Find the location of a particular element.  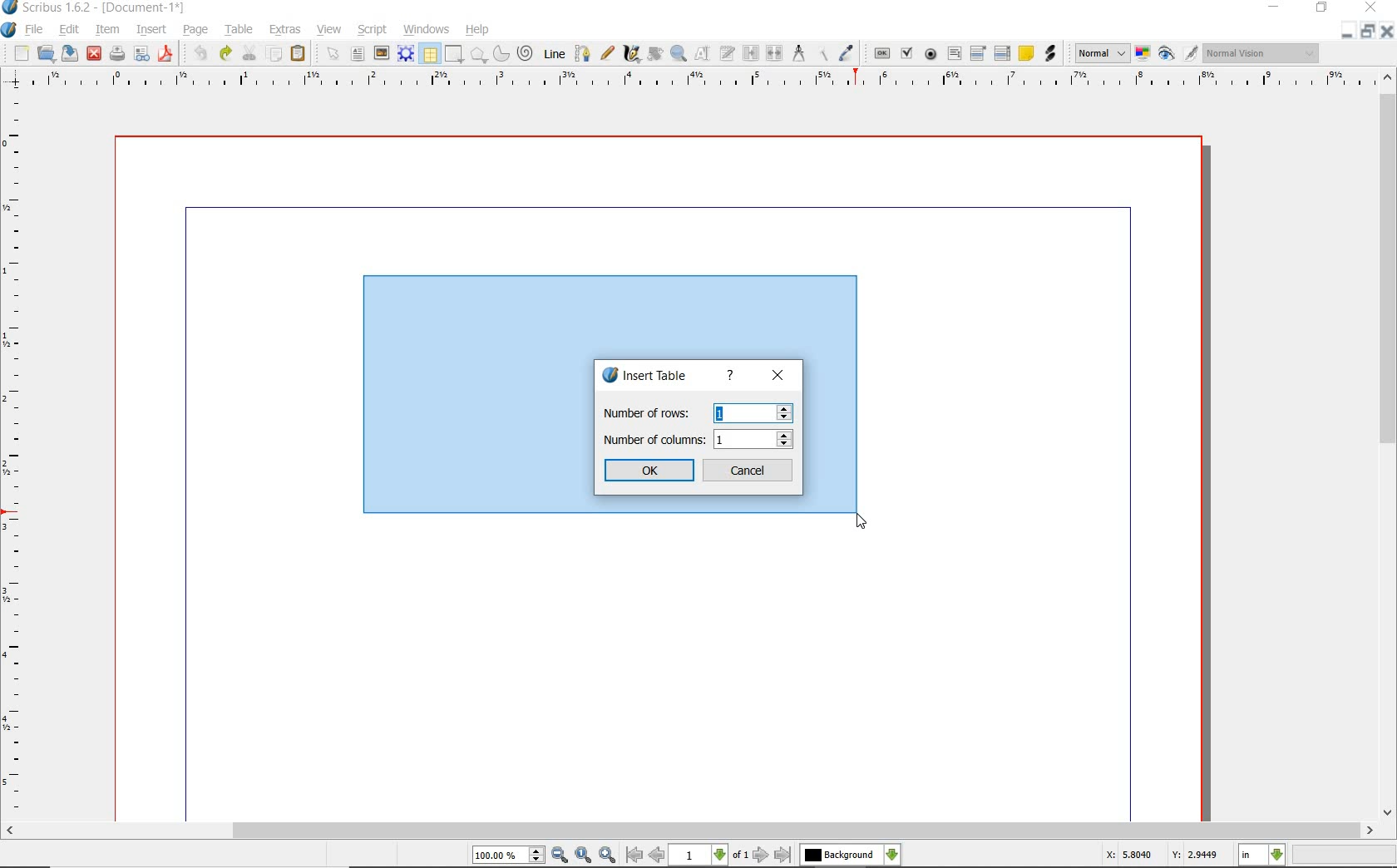

ruler is located at coordinates (706, 80).